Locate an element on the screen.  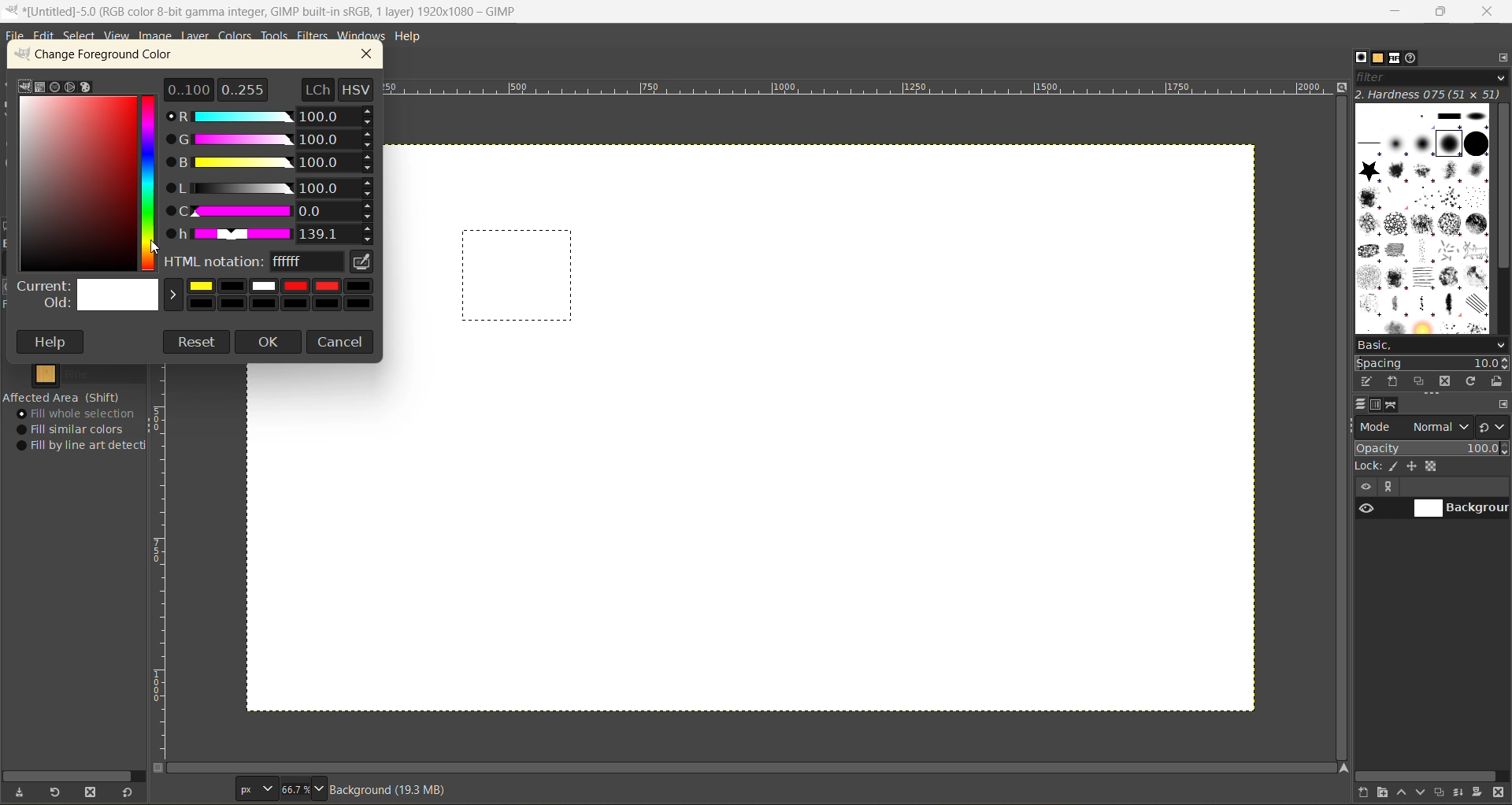
watercolor is located at coordinates (55, 87).